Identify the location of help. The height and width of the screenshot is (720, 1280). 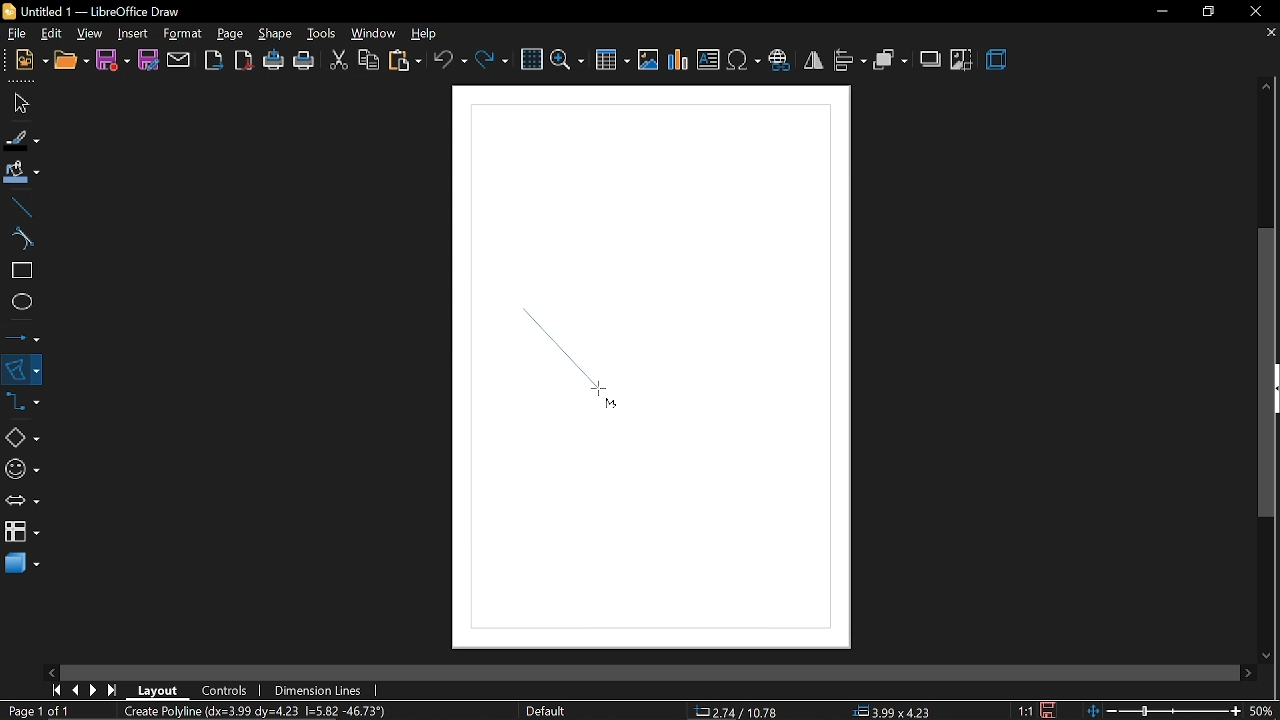
(427, 34).